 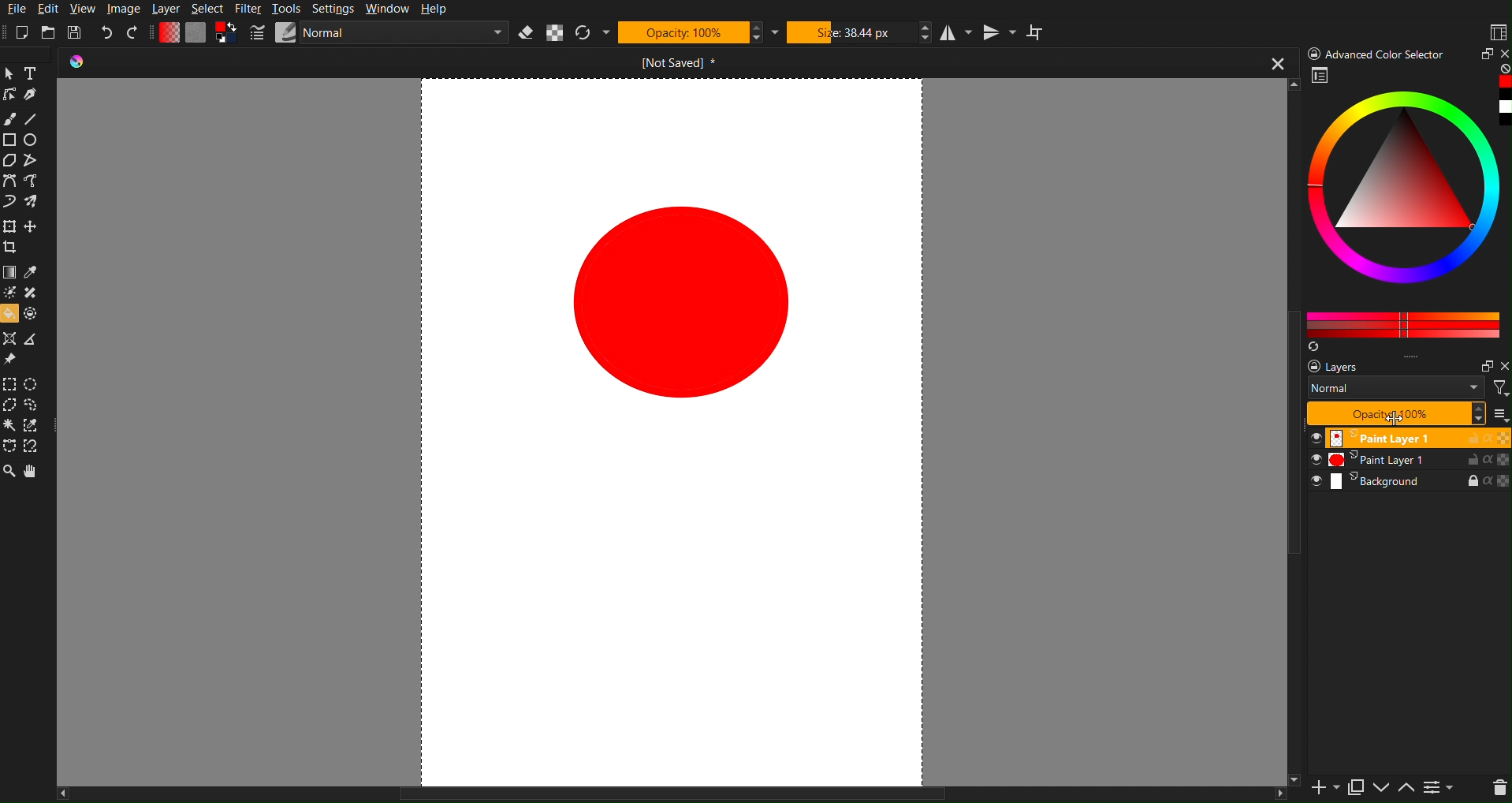 What do you see at coordinates (9, 314) in the screenshot?
I see `Bucket fill` at bounding box center [9, 314].